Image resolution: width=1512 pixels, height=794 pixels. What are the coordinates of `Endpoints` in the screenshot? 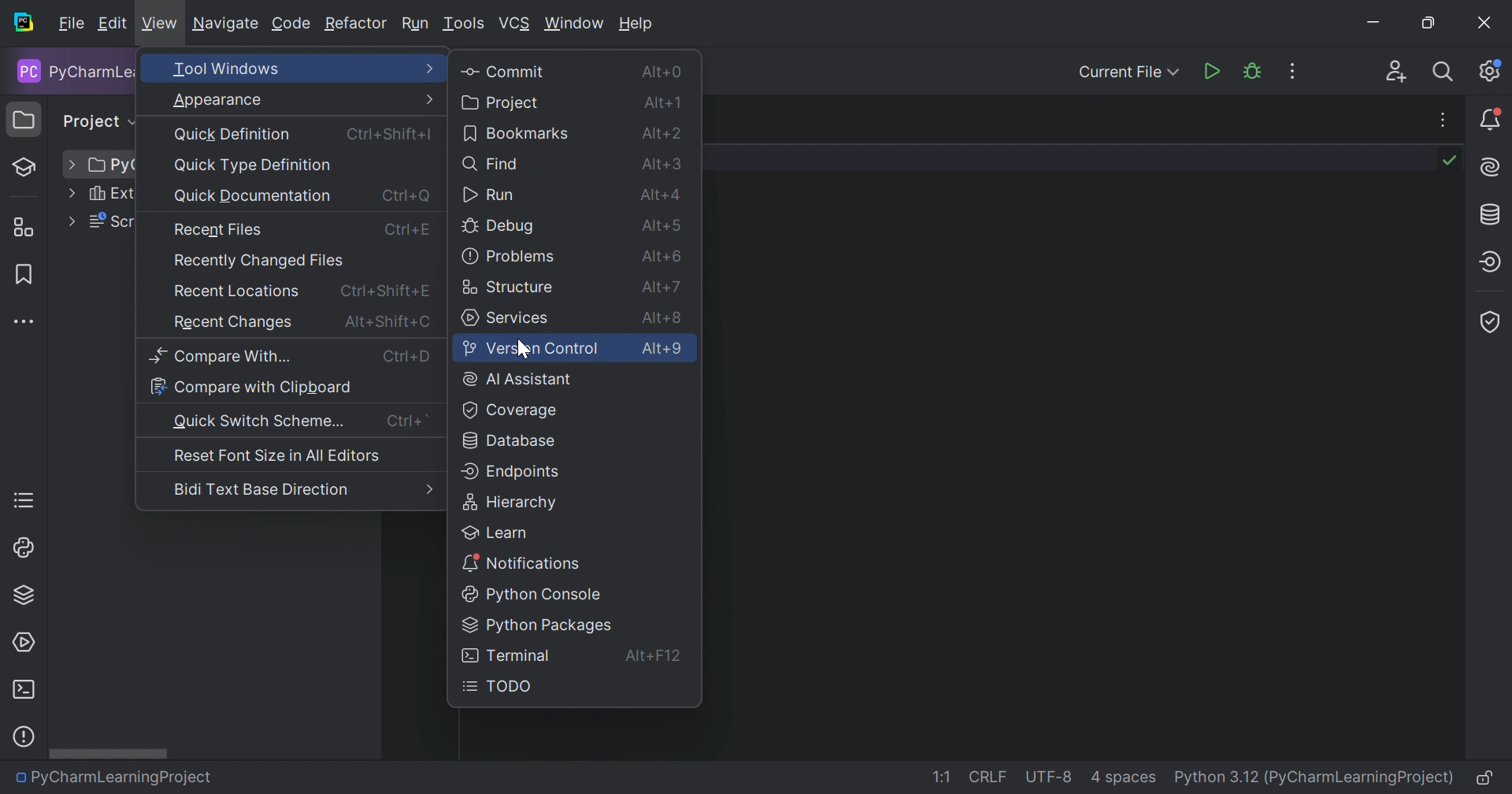 It's located at (1493, 260).